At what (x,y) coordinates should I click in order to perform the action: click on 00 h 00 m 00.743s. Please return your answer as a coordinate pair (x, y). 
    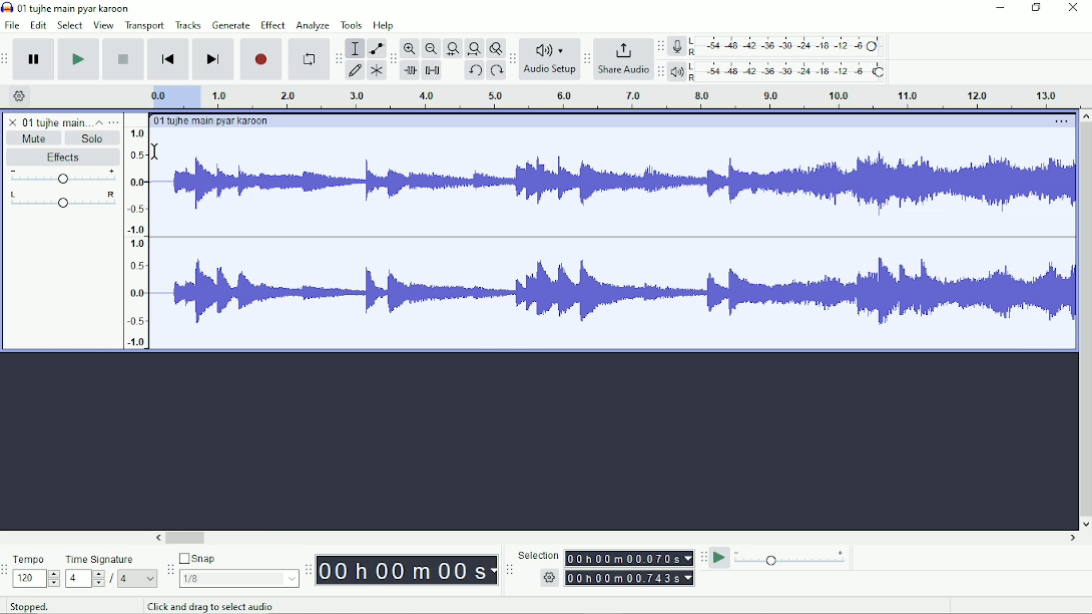
    Looking at the image, I should click on (632, 577).